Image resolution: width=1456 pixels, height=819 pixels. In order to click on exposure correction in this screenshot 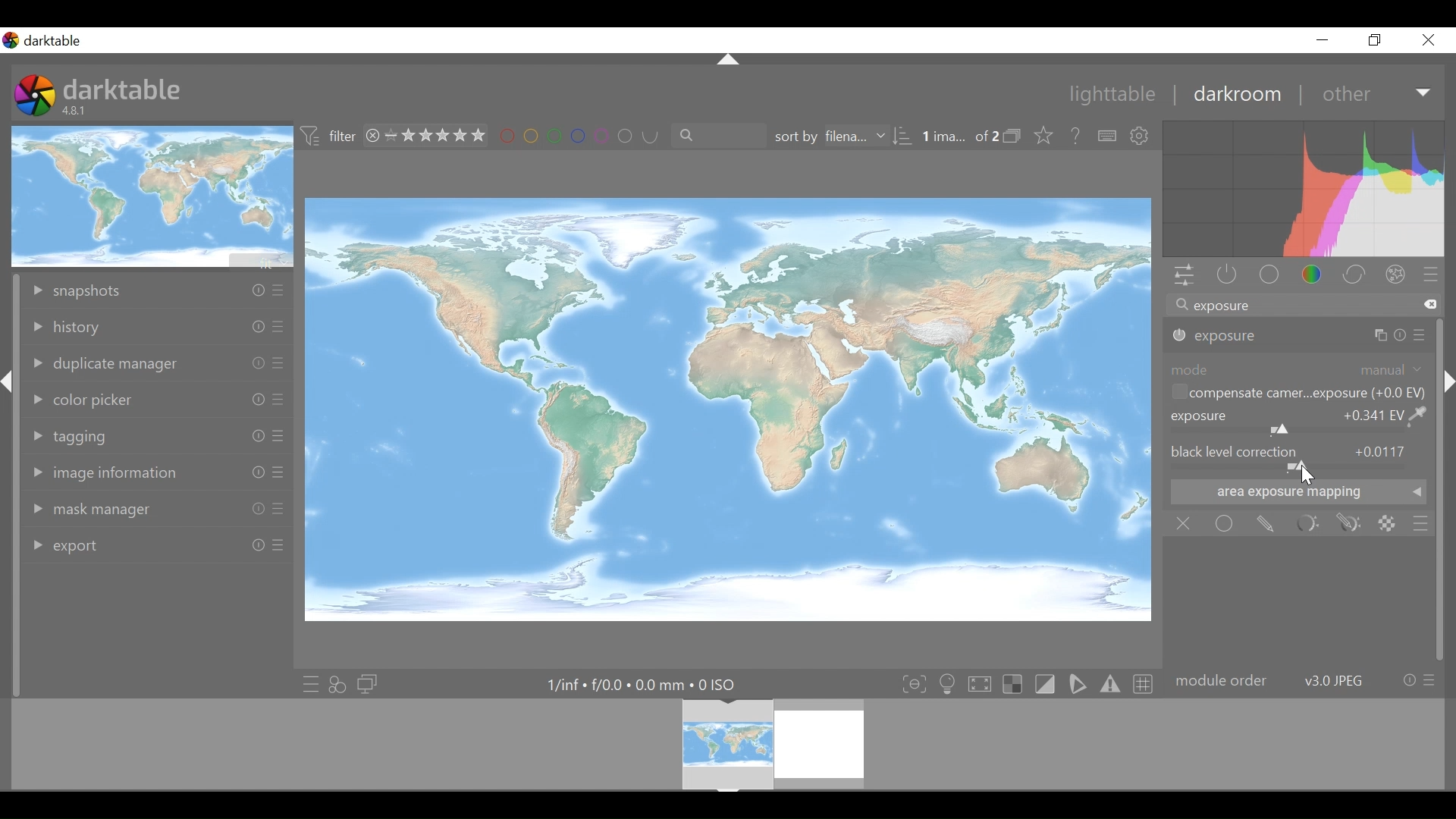, I will do `click(1299, 420)`.